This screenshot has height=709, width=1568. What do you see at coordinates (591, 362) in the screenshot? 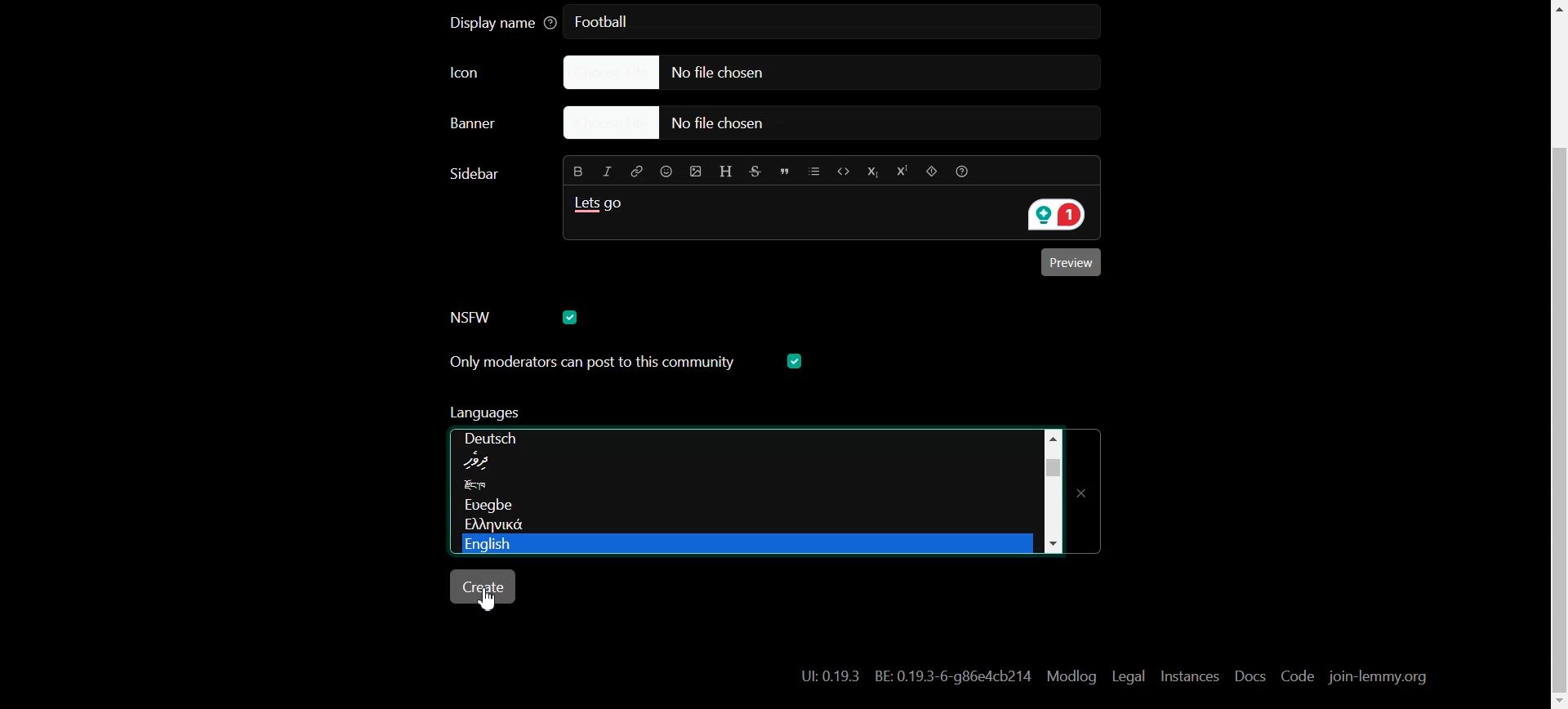
I see `Enable post to community` at bounding box center [591, 362].